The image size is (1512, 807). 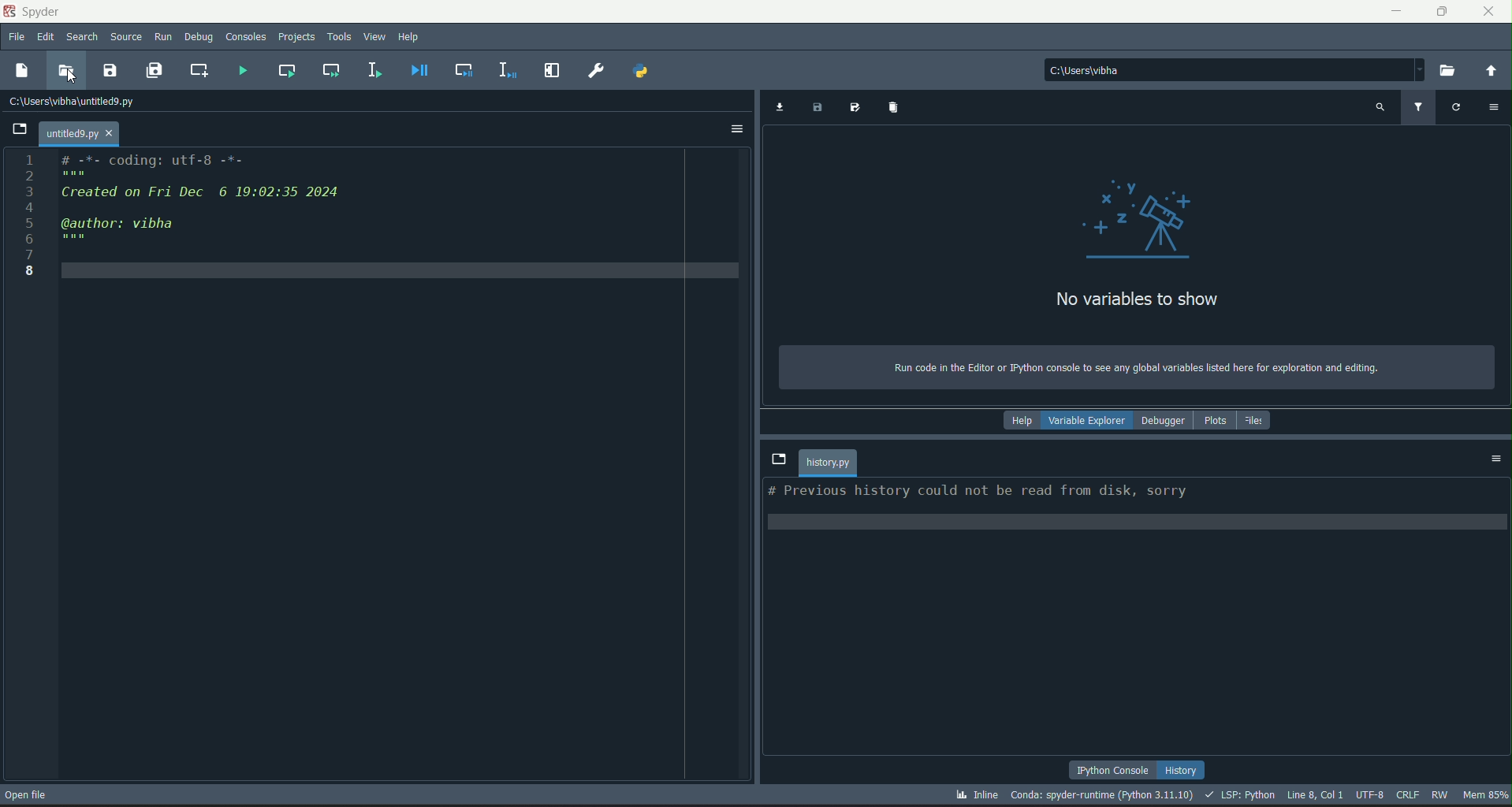 I want to click on view, so click(x=377, y=37).